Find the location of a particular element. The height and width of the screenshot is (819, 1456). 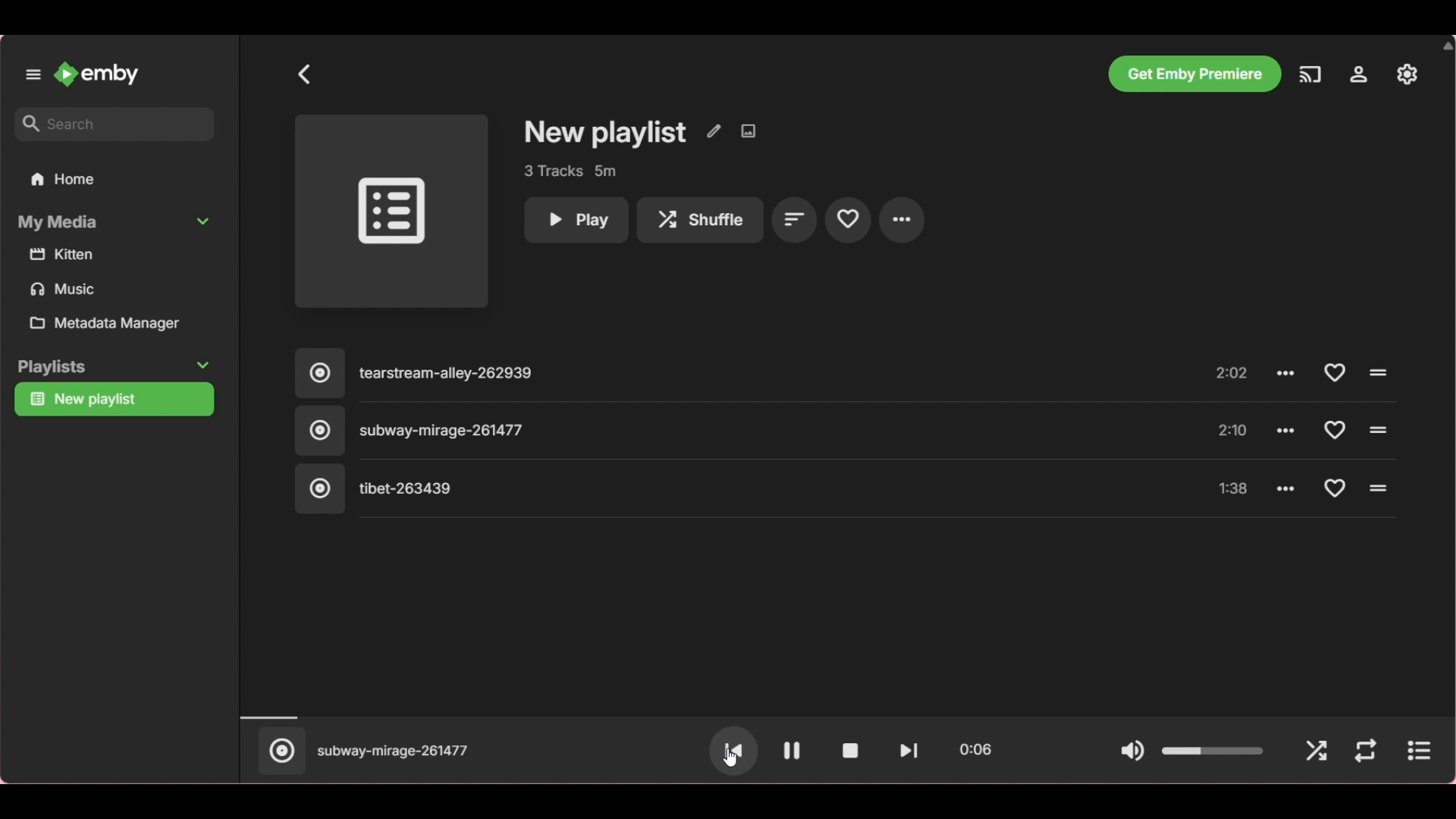

Change volume of song is located at coordinates (1213, 751).